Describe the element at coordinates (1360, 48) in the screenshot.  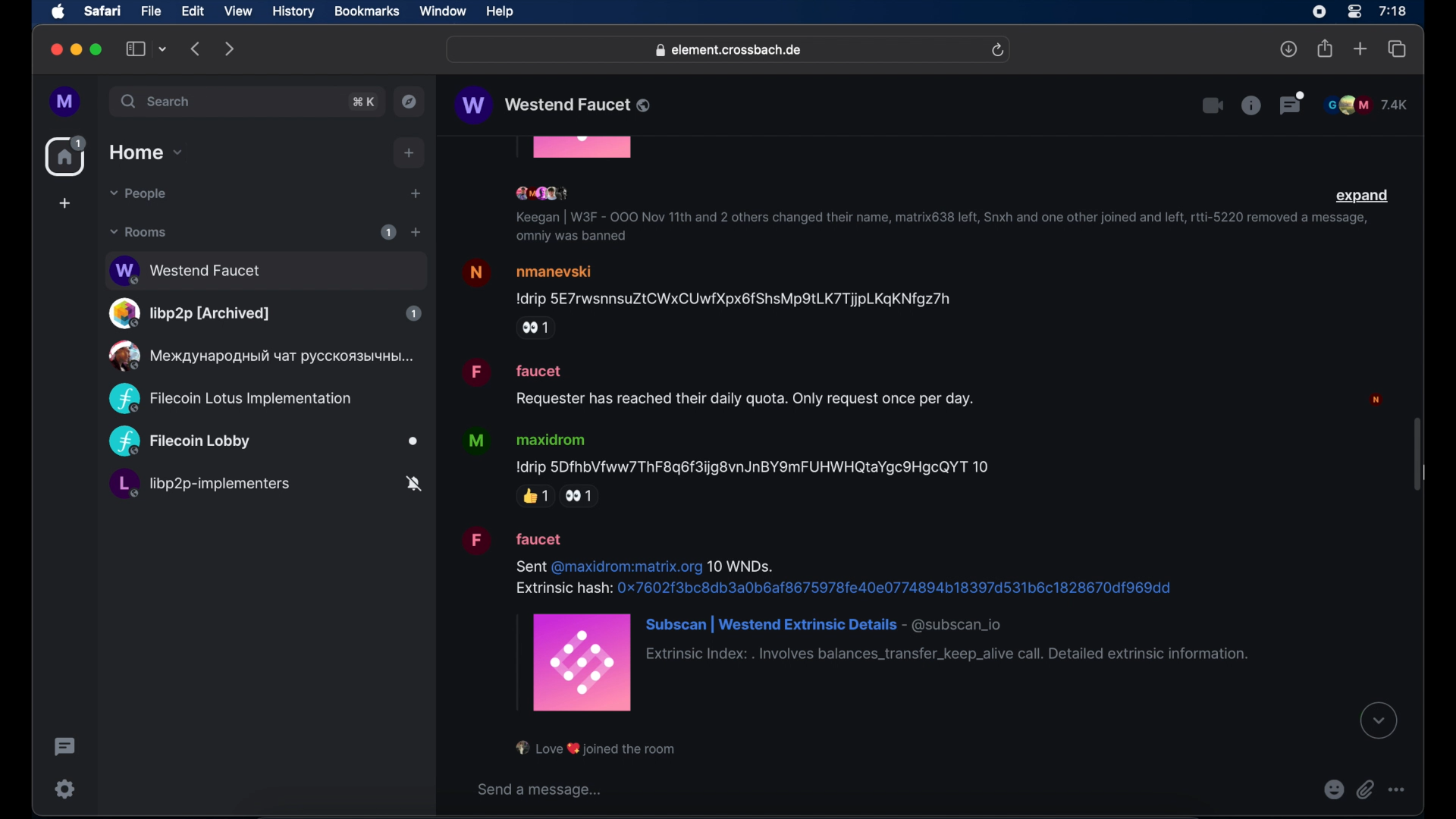
I see `new tab` at that location.